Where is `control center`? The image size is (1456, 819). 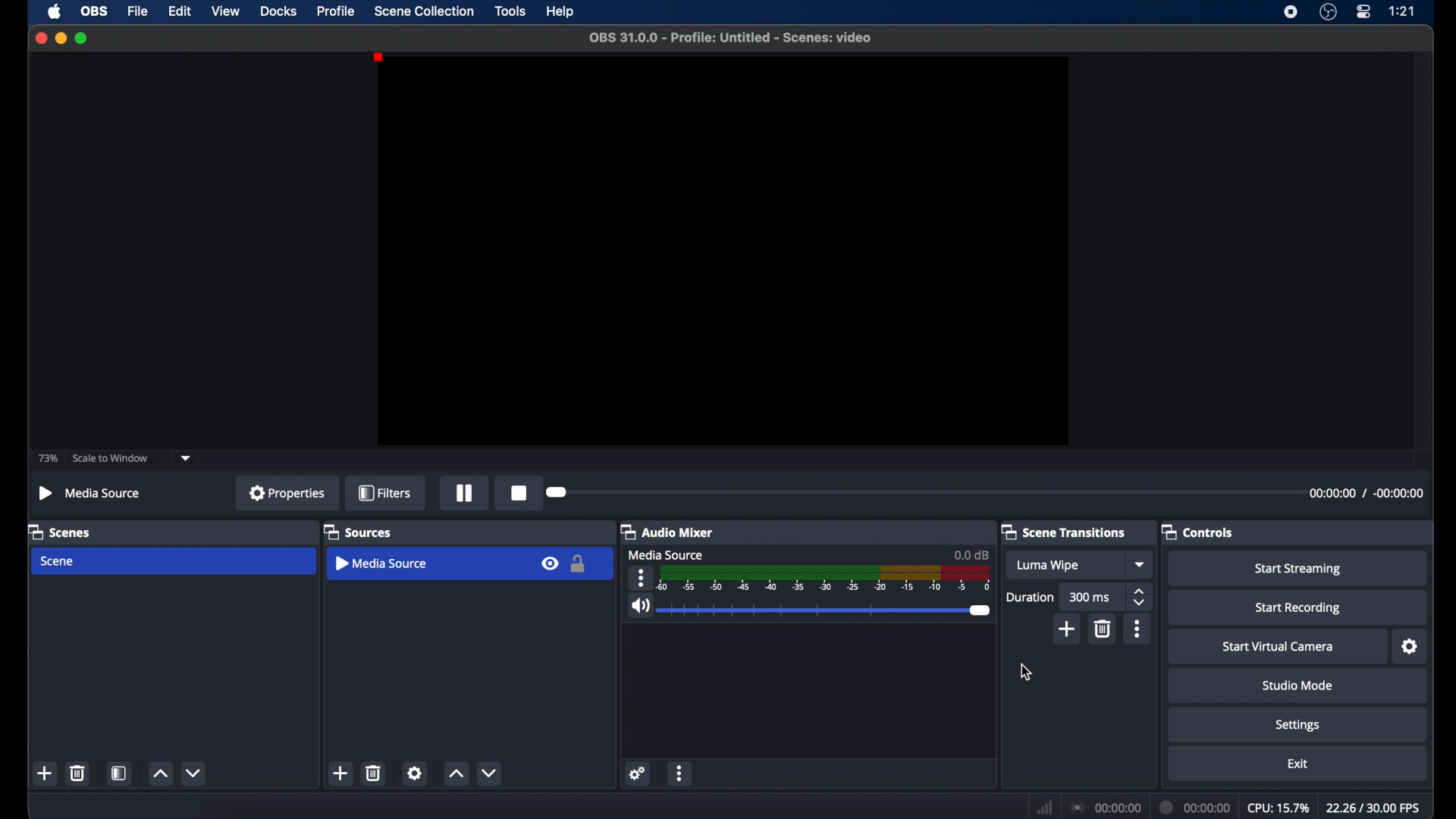 control center is located at coordinates (1364, 11).